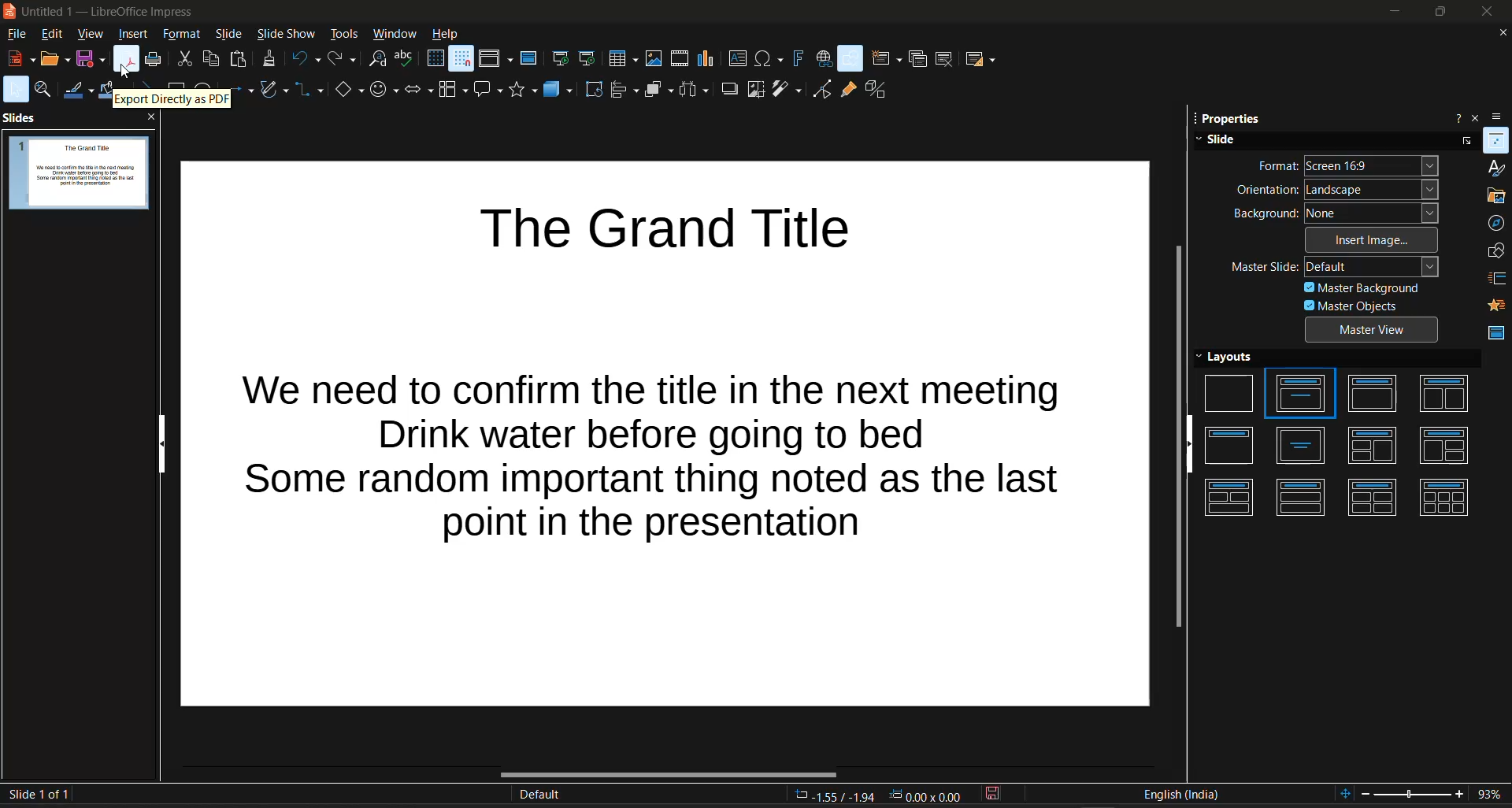 Image resolution: width=1512 pixels, height=808 pixels. I want to click on format, so click(183, 34).